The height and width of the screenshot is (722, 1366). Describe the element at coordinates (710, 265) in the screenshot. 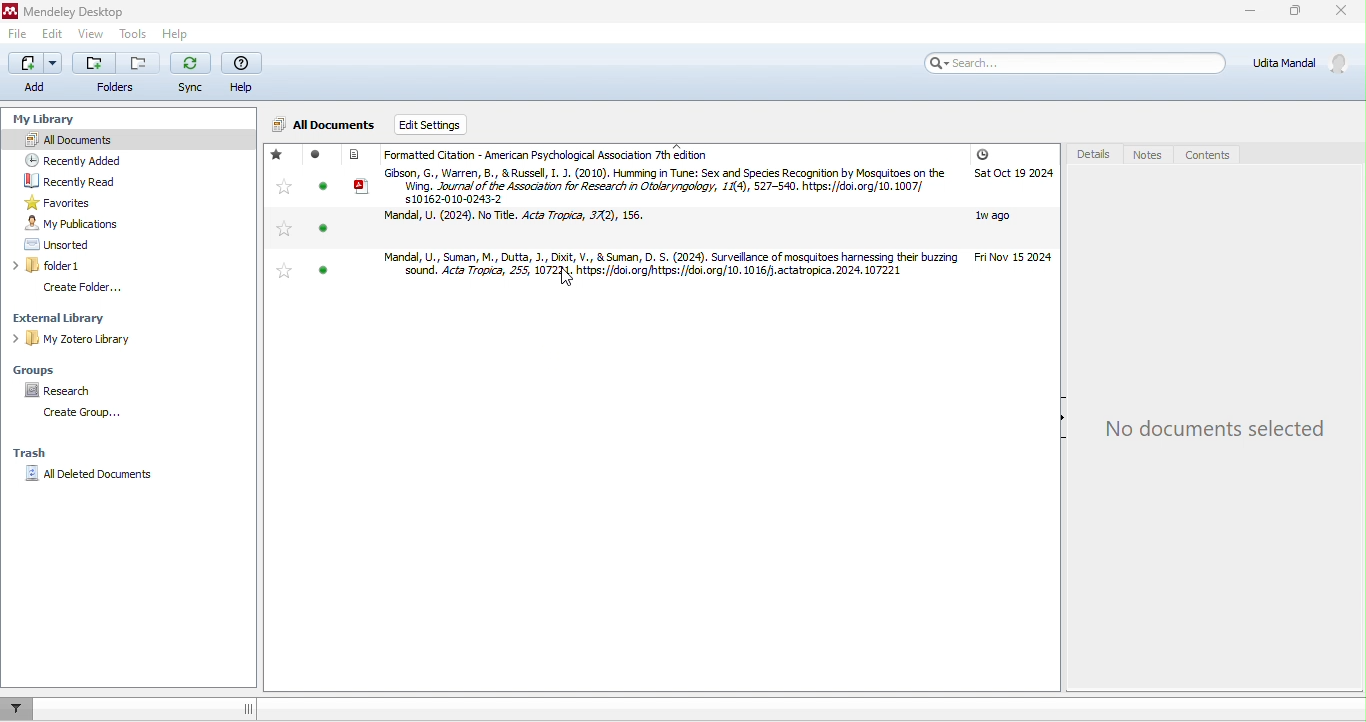

I see `Mandal, U., Suman, M., Dutta, J., Dodt, V., & Suman, D. S. (2024). Surveillance of mosquitoes hamessing ther buzzing Fri Nov 15 2024
‘sound. Acta Tropica, 255, 107234, https:/Jdoi.org/htps://doi.org/10. 1016. actatropica. 2024, 107221` at that location.